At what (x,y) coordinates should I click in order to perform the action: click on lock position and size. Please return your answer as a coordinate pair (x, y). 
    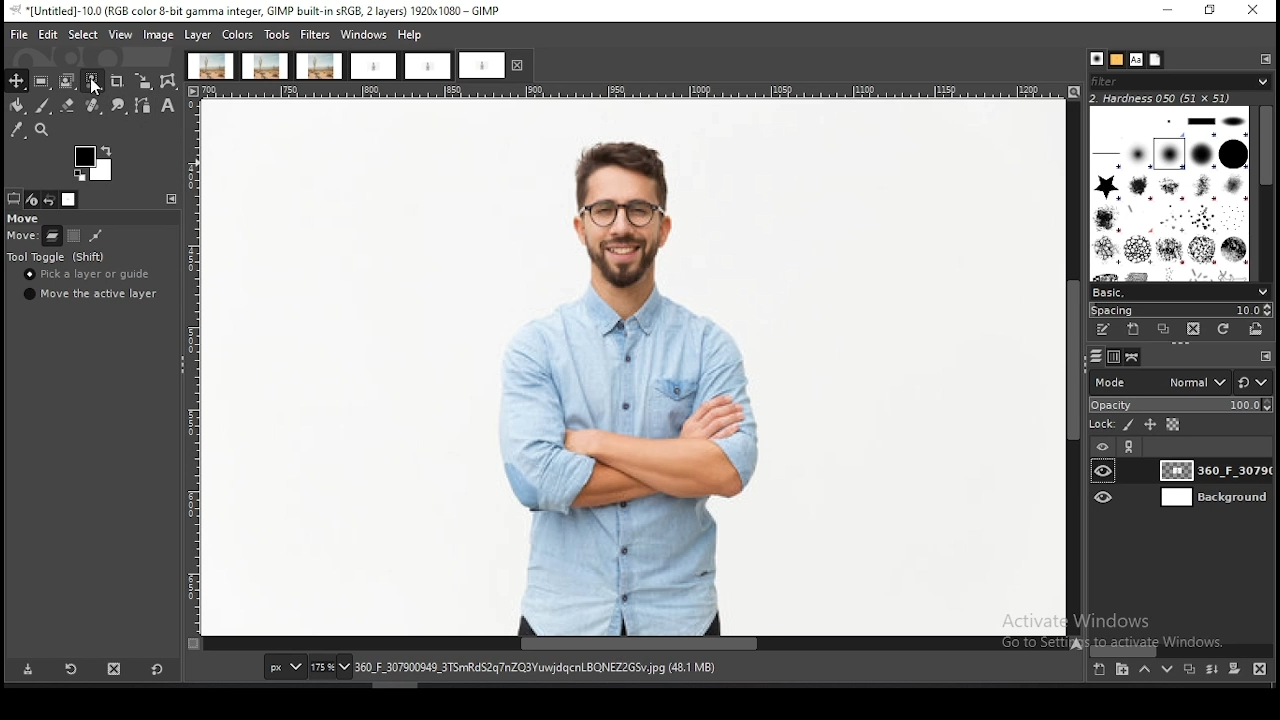
    Looking at the image, I should click on (1149, 426).